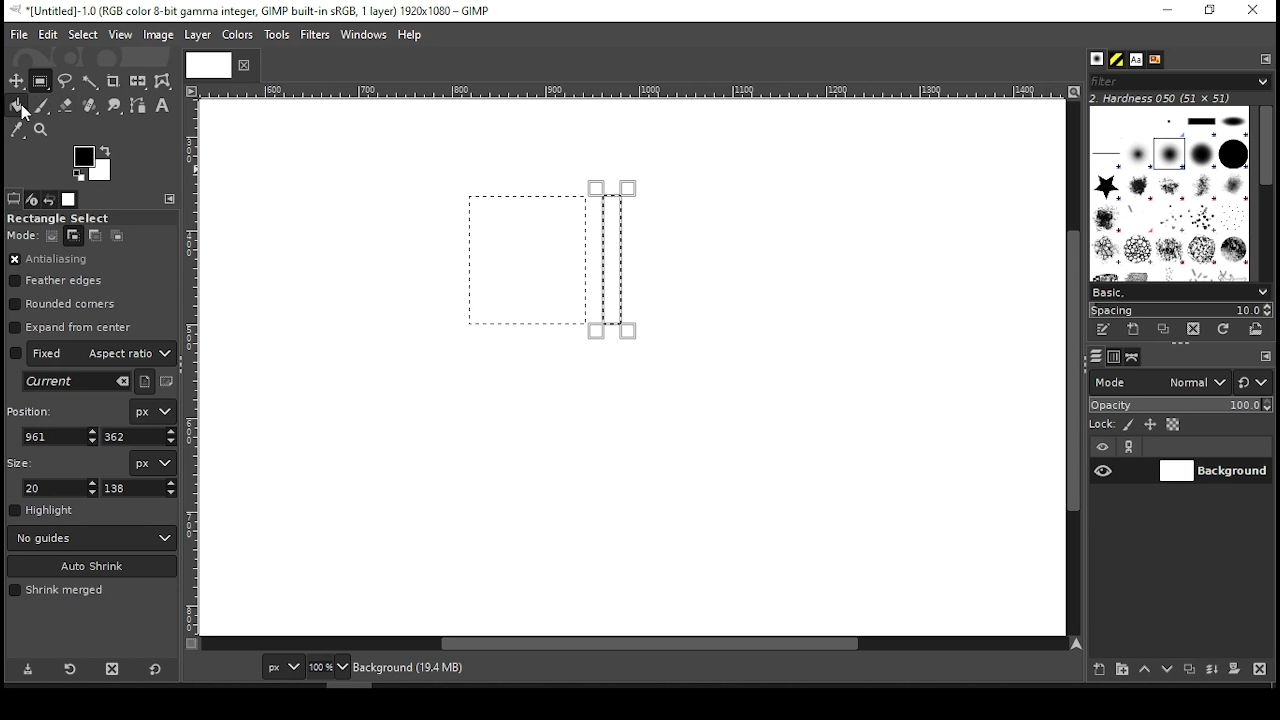 This screenshot has height=720, width=1280. I want to click on refresh brushes, so click(1222, 331).